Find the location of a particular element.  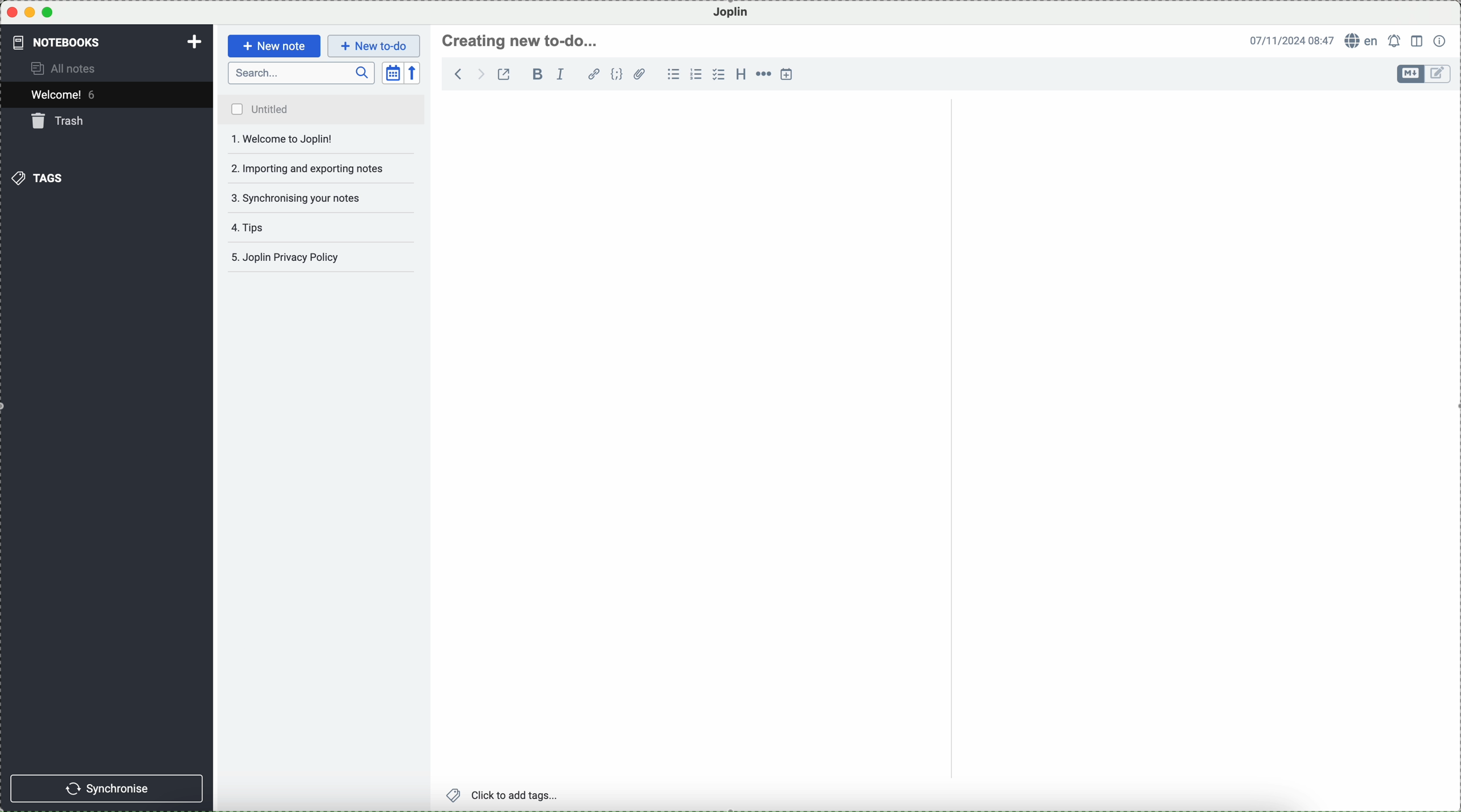

italic is located at coordinates (561, 74).